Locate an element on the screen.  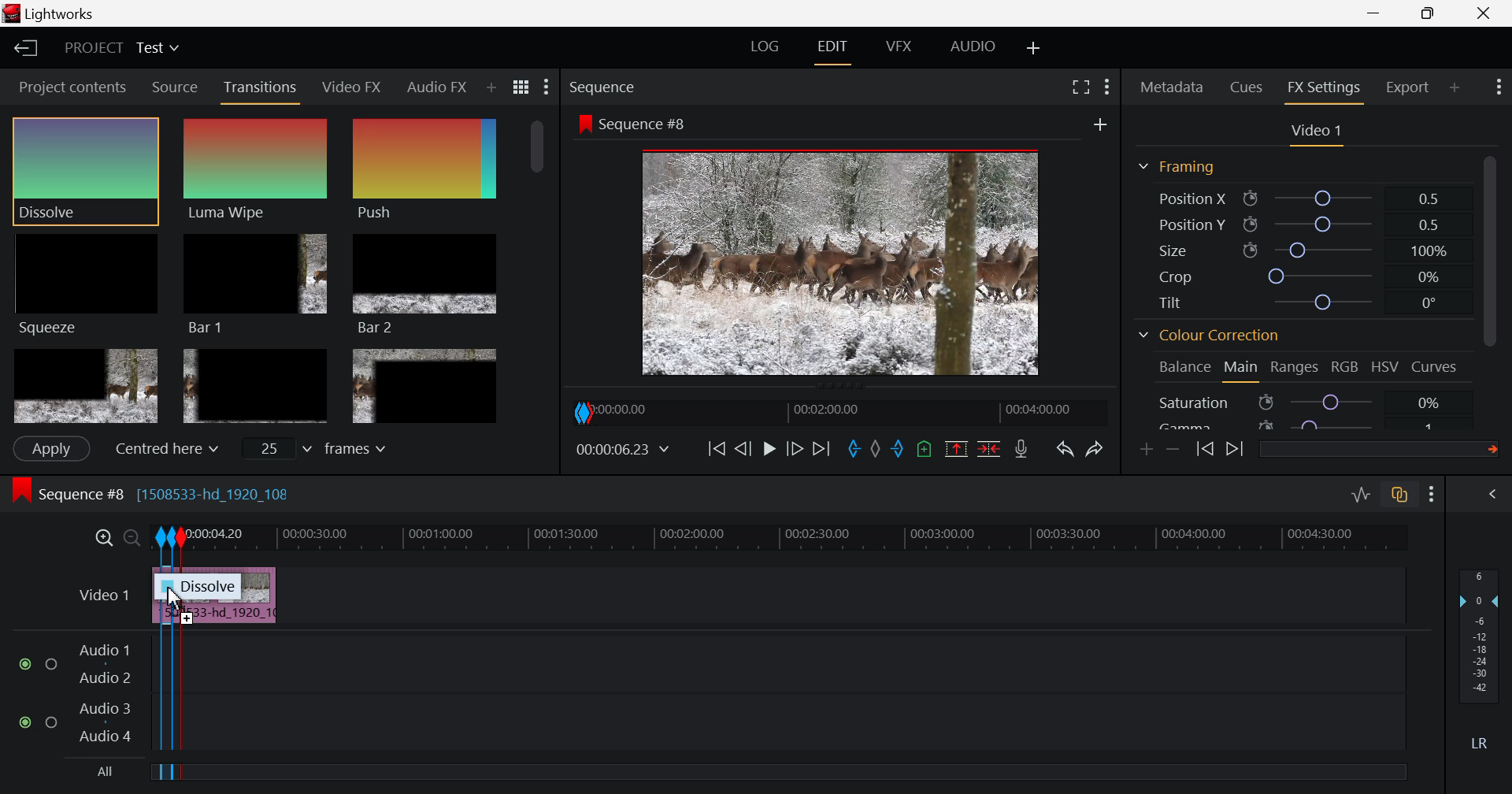
AUDIO is located at coordinates (974, 46).